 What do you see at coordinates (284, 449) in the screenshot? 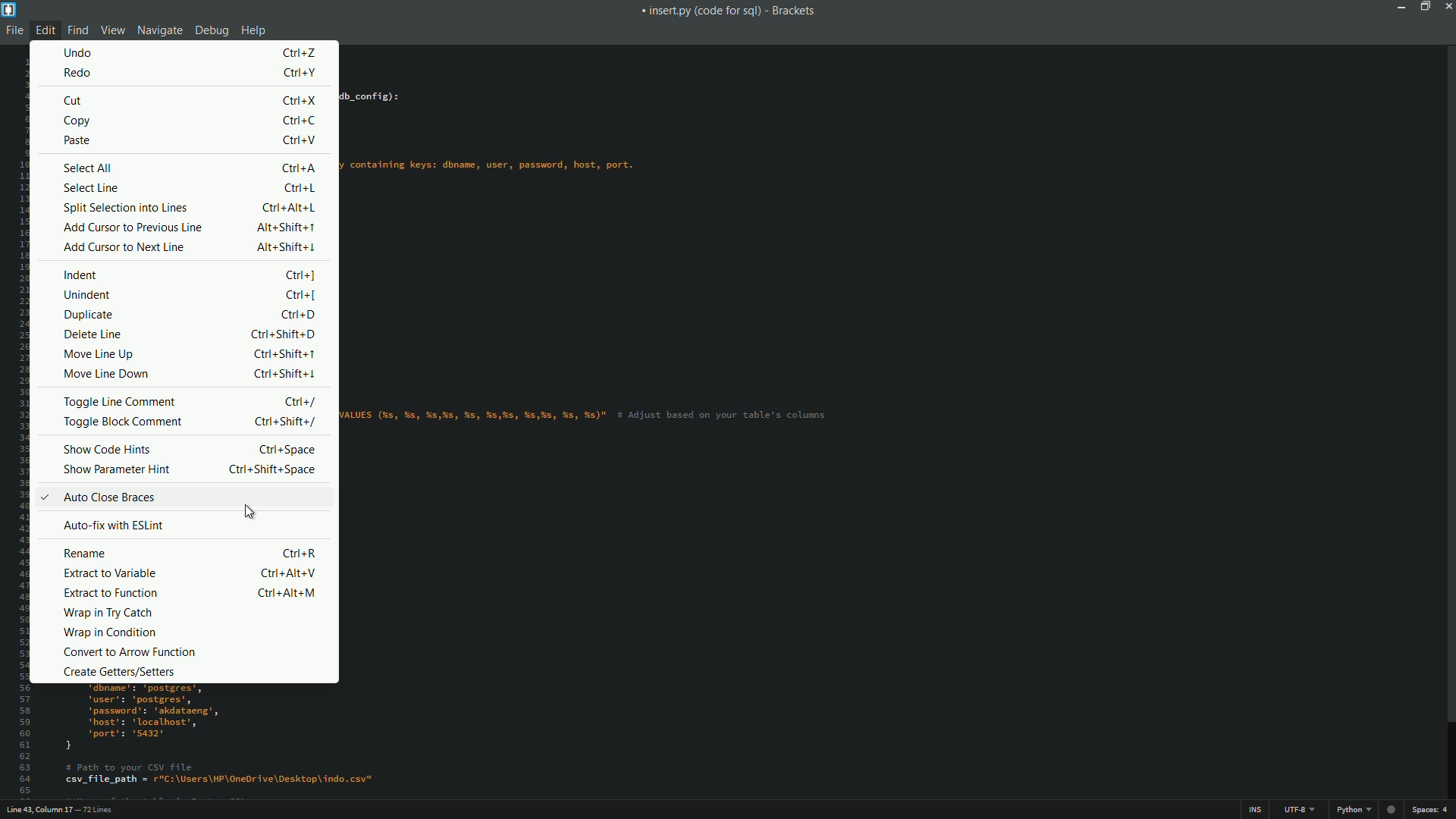
I see `keyboard shortcut` at bounding box center [284, 449].